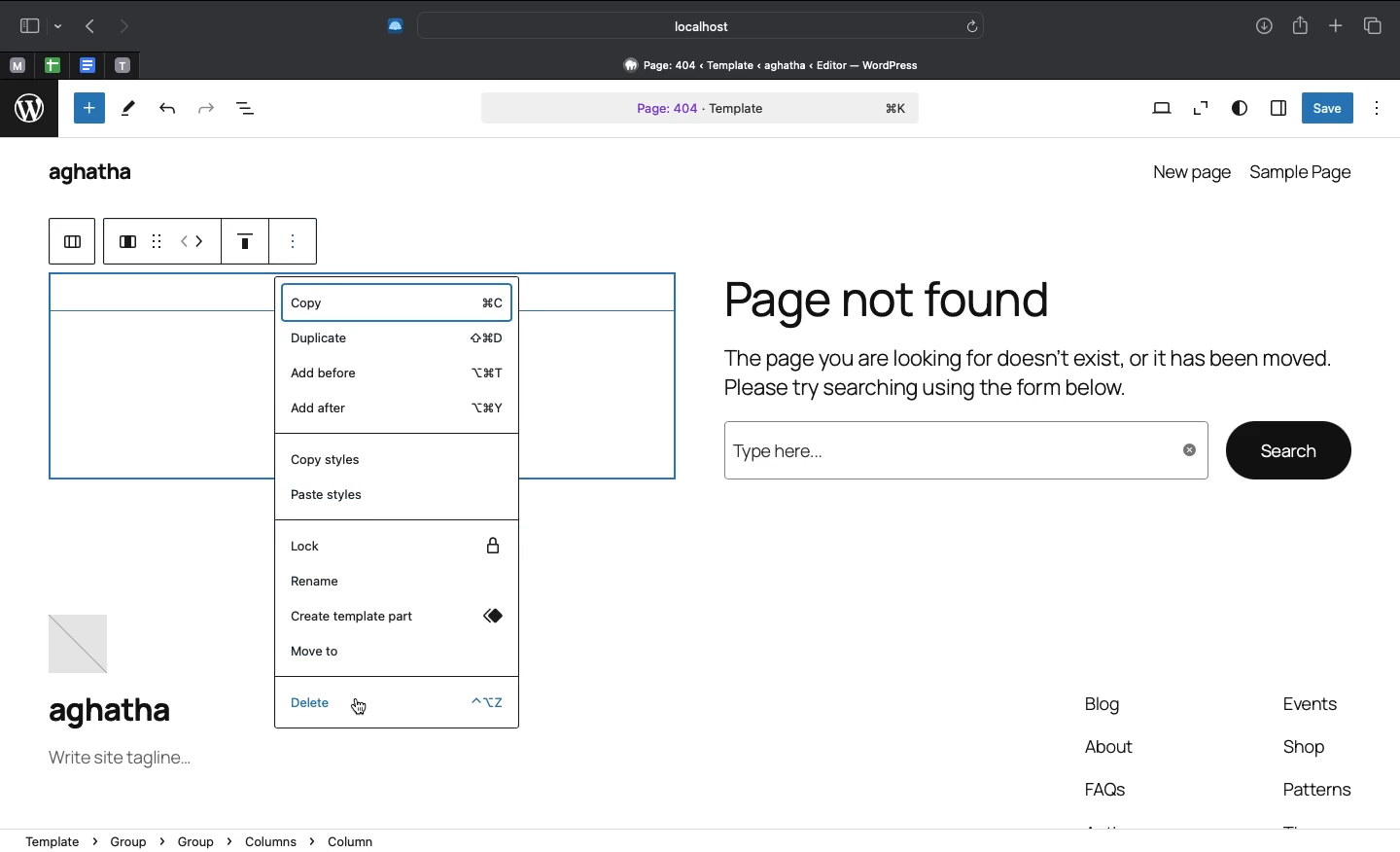 This screenshot has width=1400, height=852. What do you see at coordinates (397, 409) in the screenshot?
I see `add after` at bounding box center [397, 409].